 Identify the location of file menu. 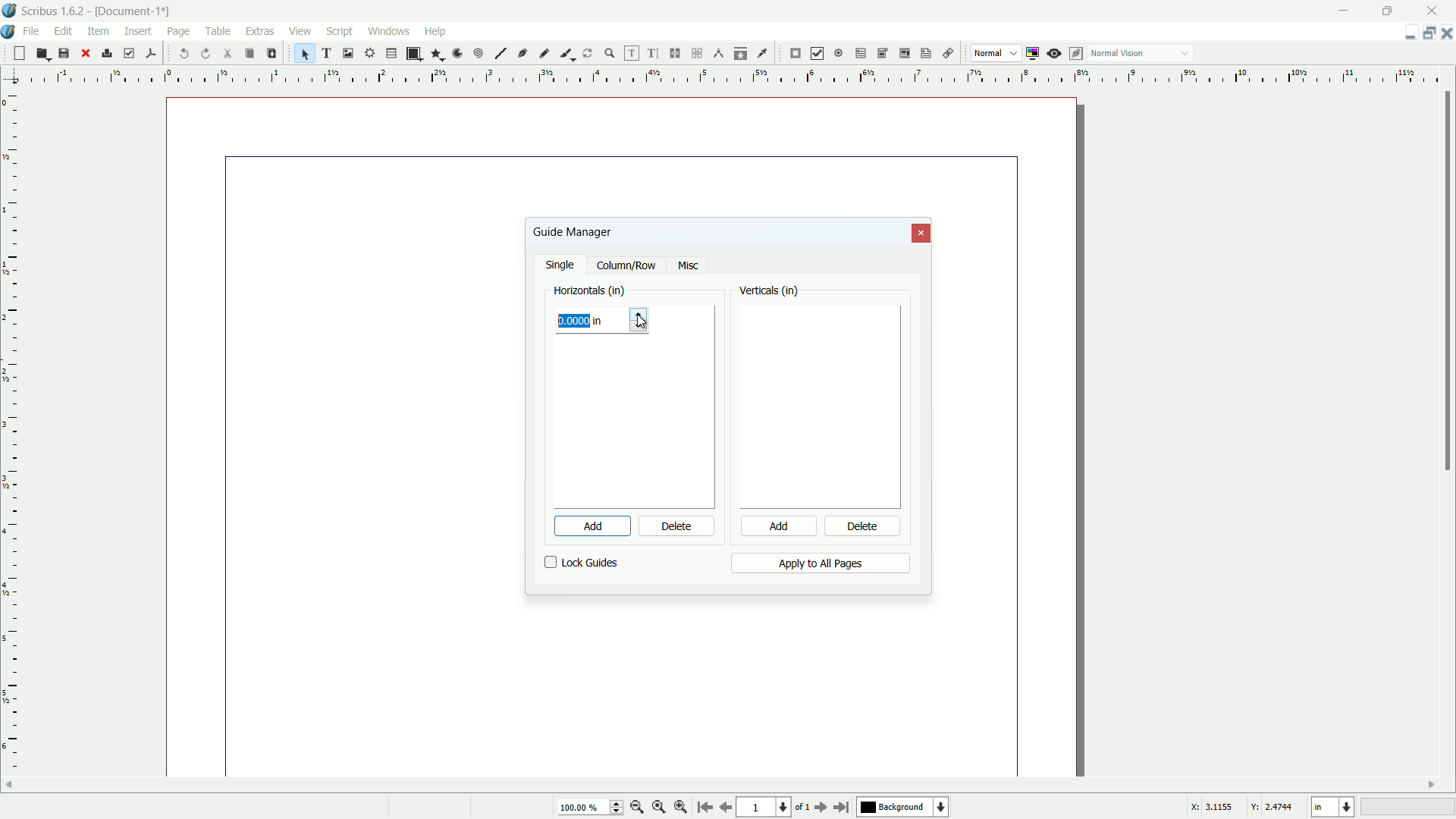
(34, 30).